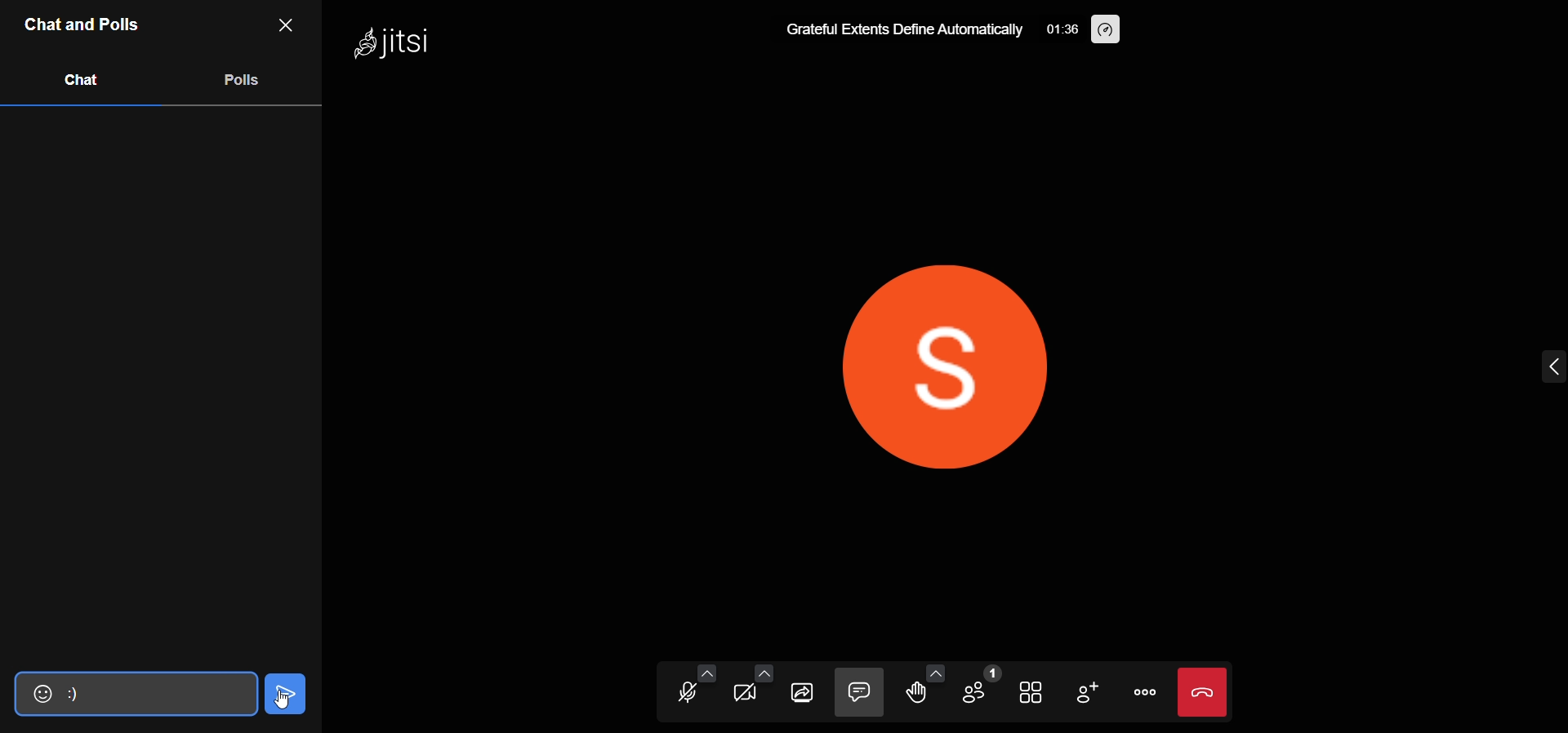 Image resolution: width=1568 pixels, height=733 pixels. Describe the element at coordinates (1205, 690) in the screenshot. I see `leave the meeting` at that location.